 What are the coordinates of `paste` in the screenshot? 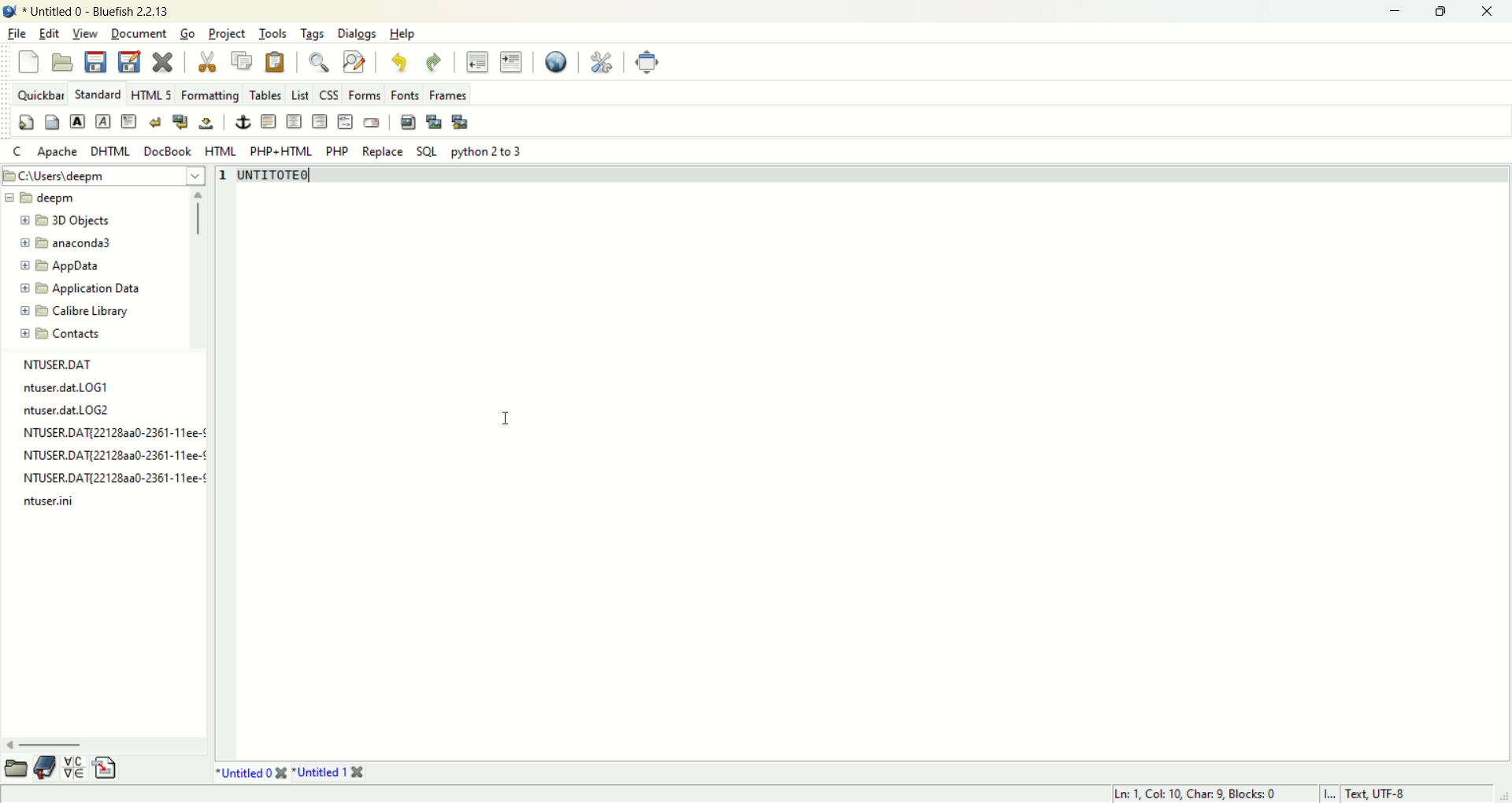 It's located at (278, 62).